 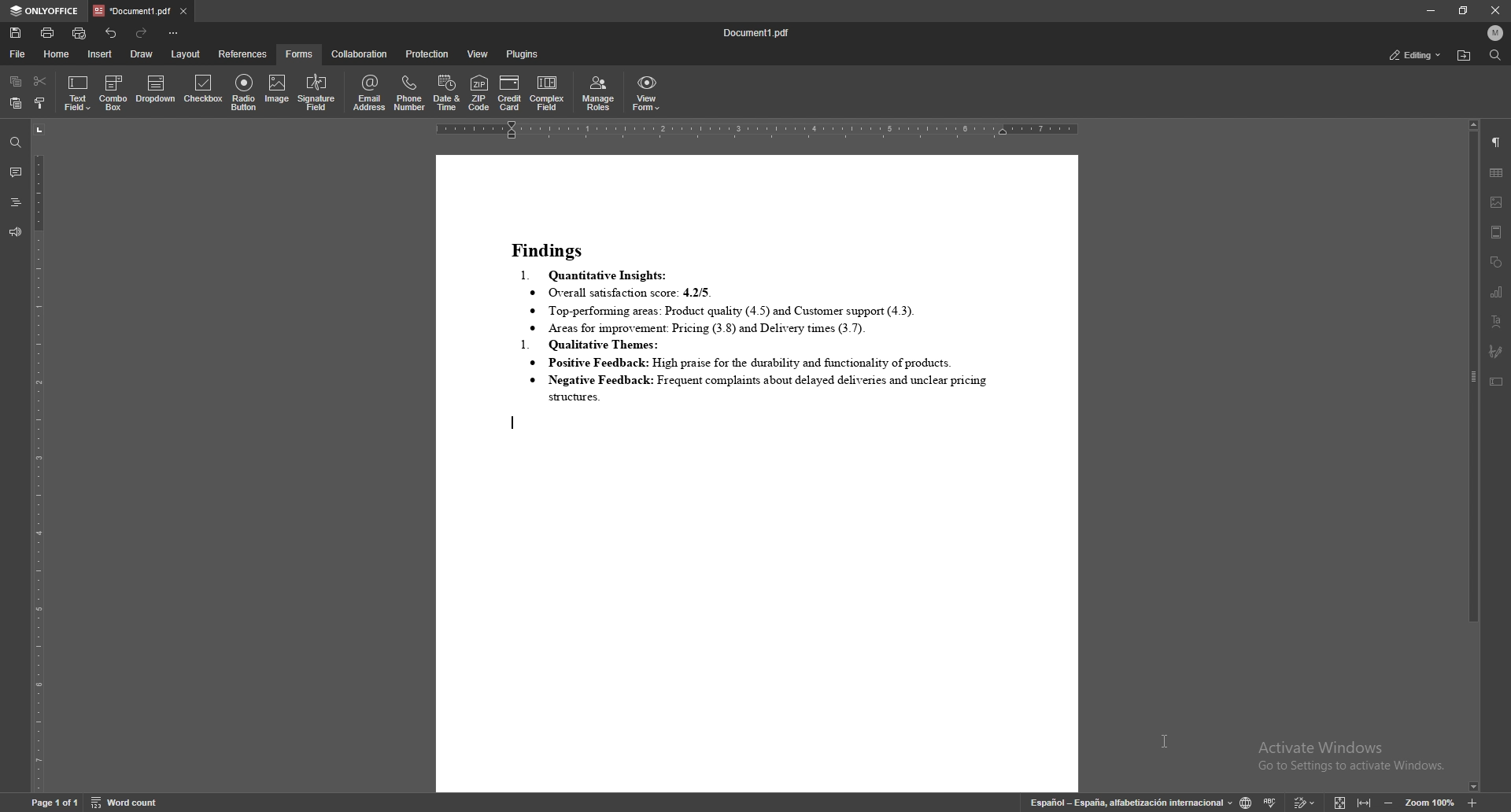 I want to click on fit to screen, so click(x=1337, y=802).